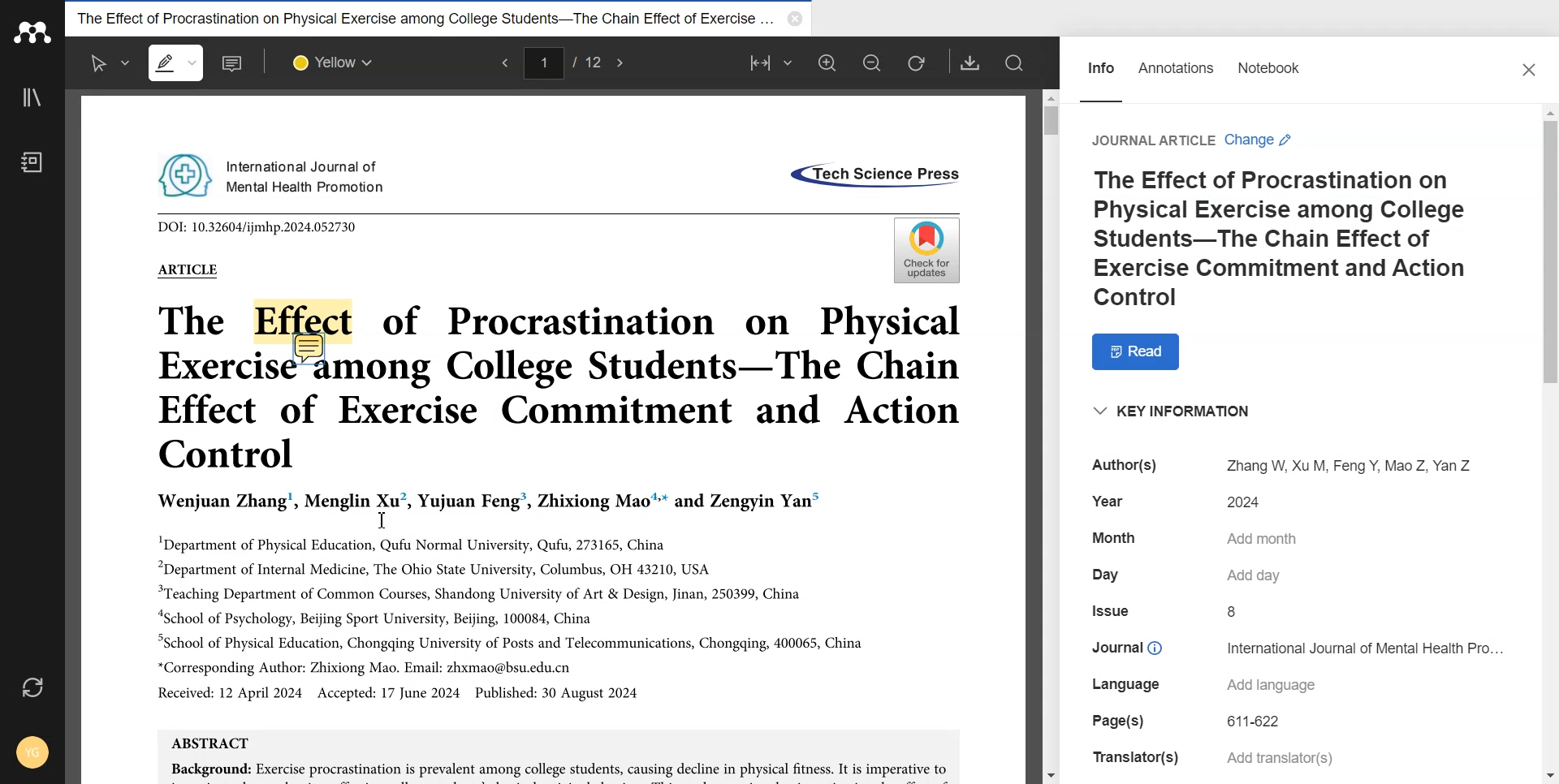 This screenshot has width=1559, height=784. What do you see at coordinates (1198, 539) in the screenshot?
I see `Month Add month` at bounding box center [1198, 539].